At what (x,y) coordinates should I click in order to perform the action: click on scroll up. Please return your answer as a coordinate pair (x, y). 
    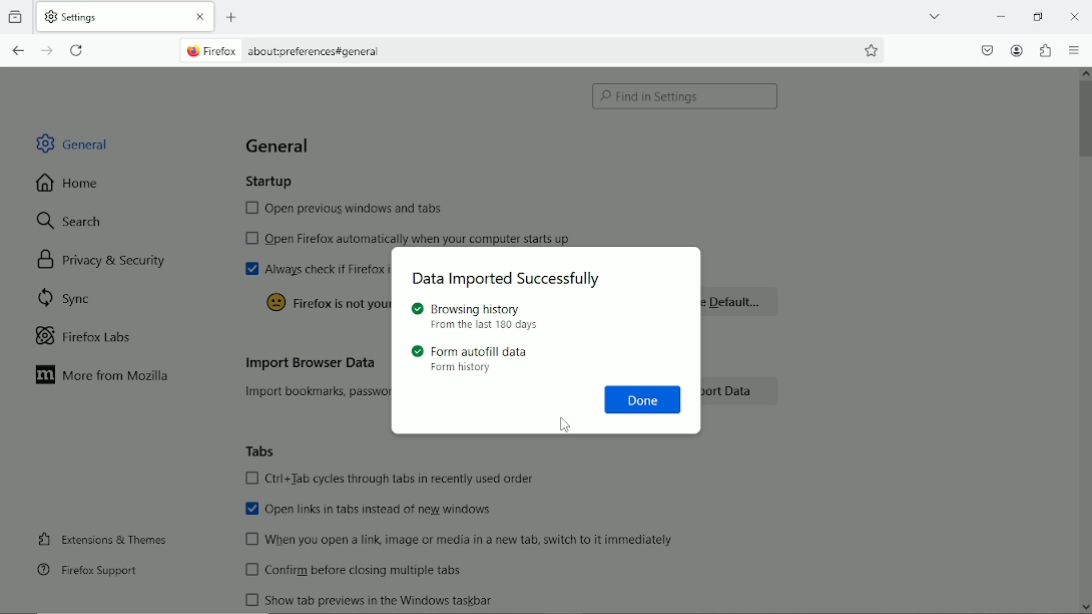
    Looking at the image, I should click on (1084, 72).